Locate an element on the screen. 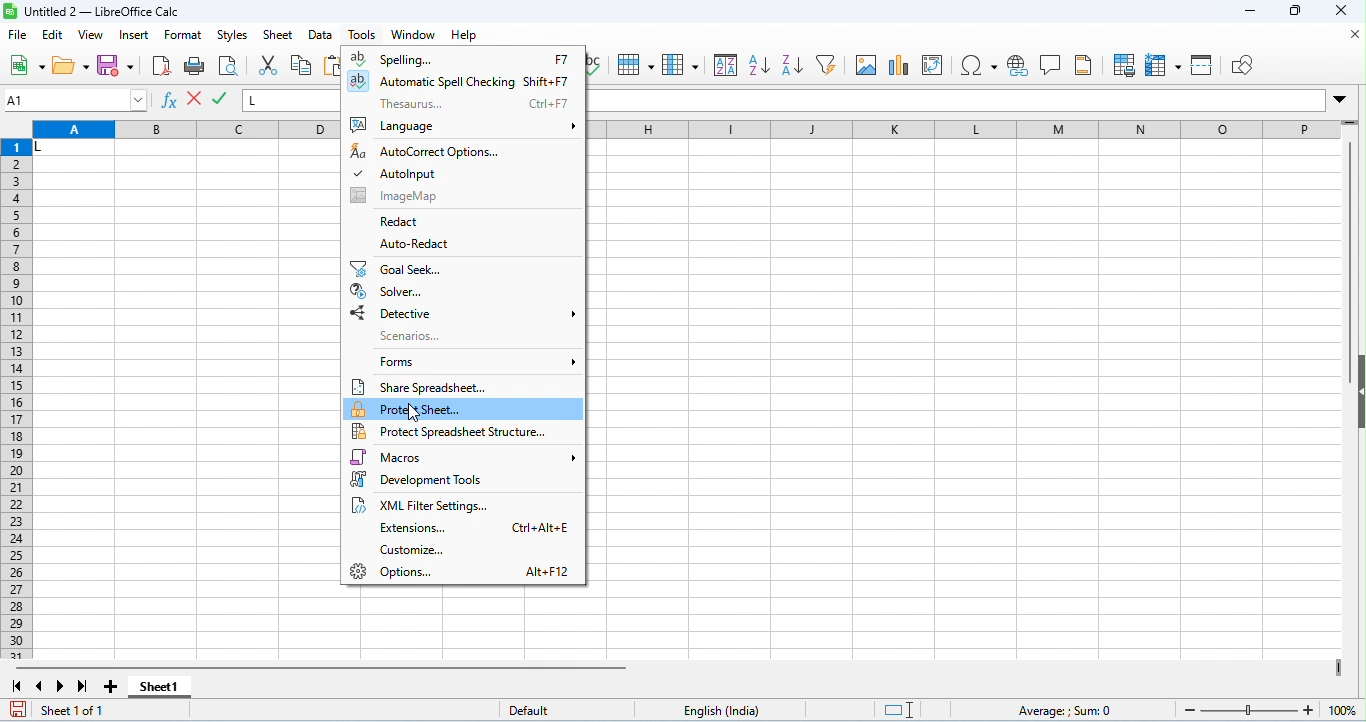  formula is located at coordinates (1067, 711).